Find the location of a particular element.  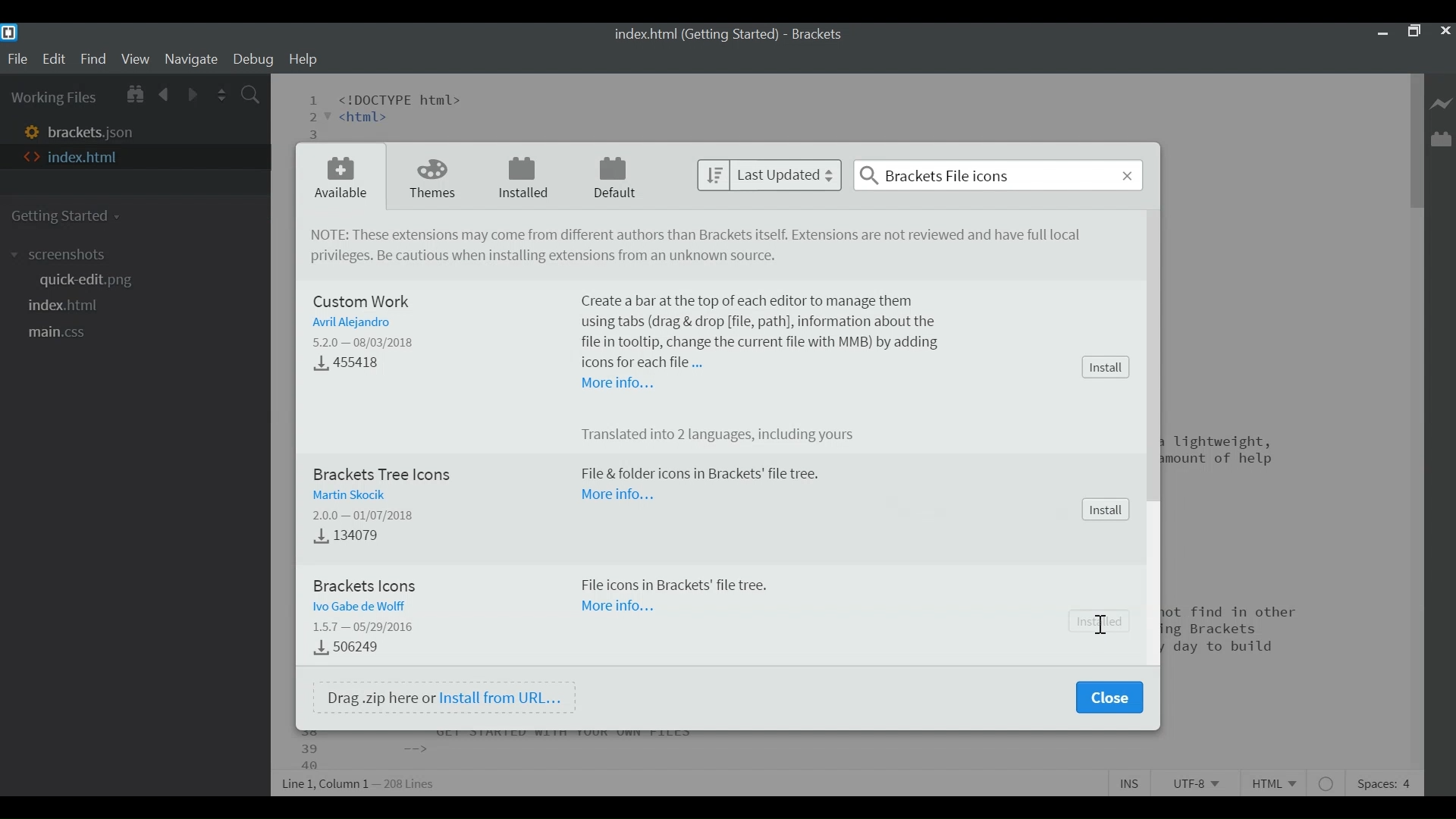

index.html (Getting started) - Brackets is located at coordinates (729, 36).